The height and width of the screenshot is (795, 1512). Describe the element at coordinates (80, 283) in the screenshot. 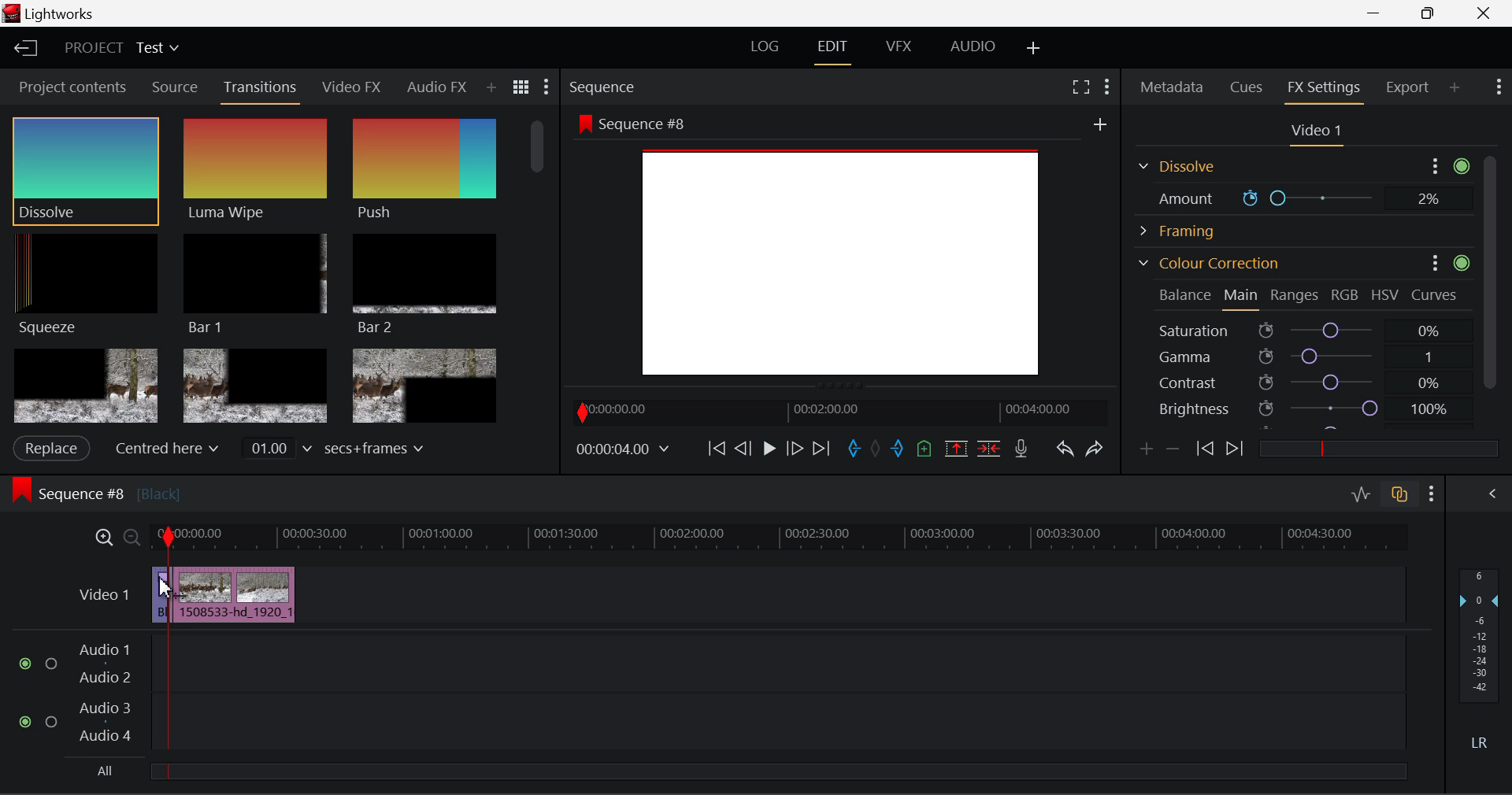

I see `Squeeze` at that location.